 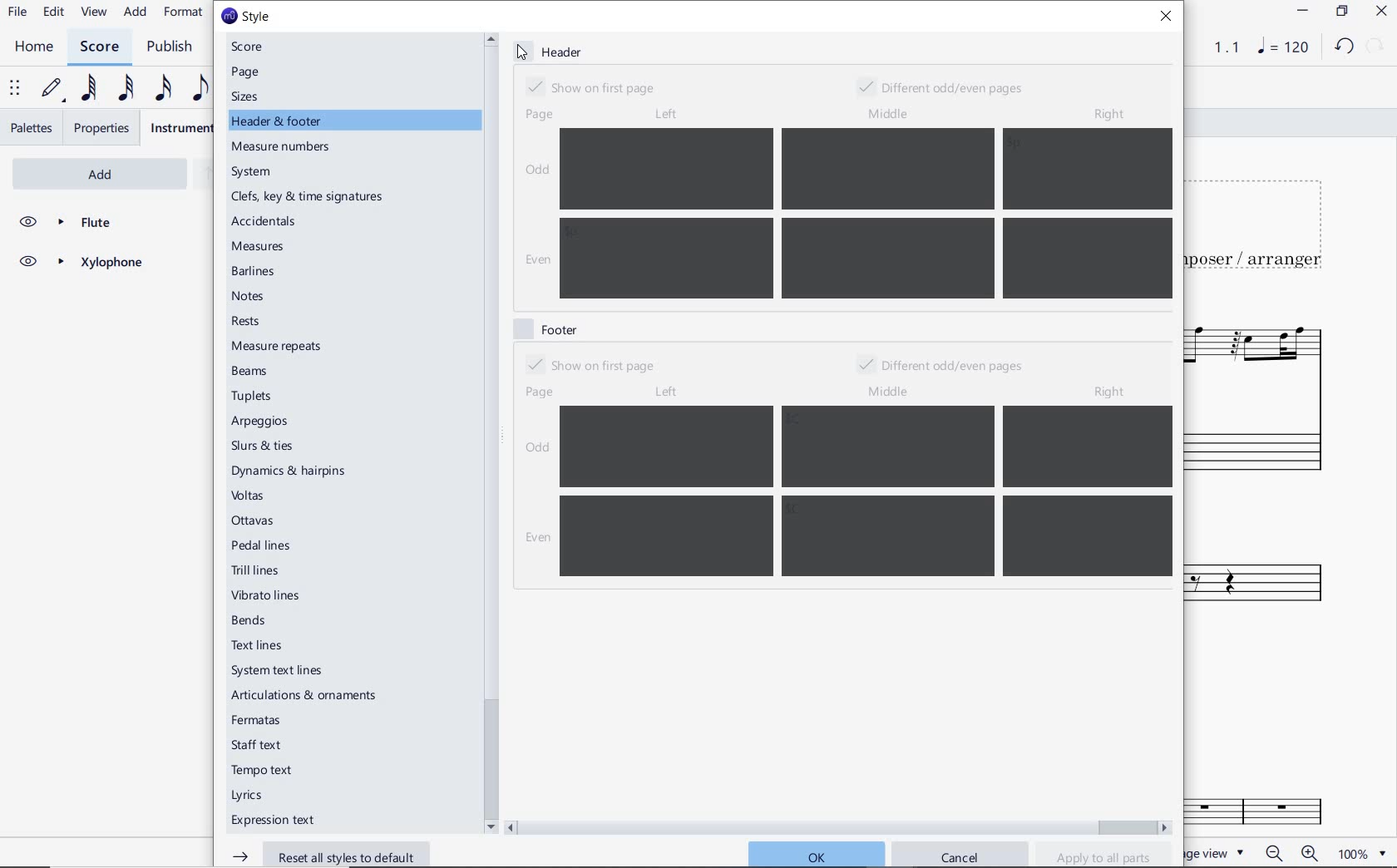 I want to click on CLOSE, so click(x=1380, y=11).